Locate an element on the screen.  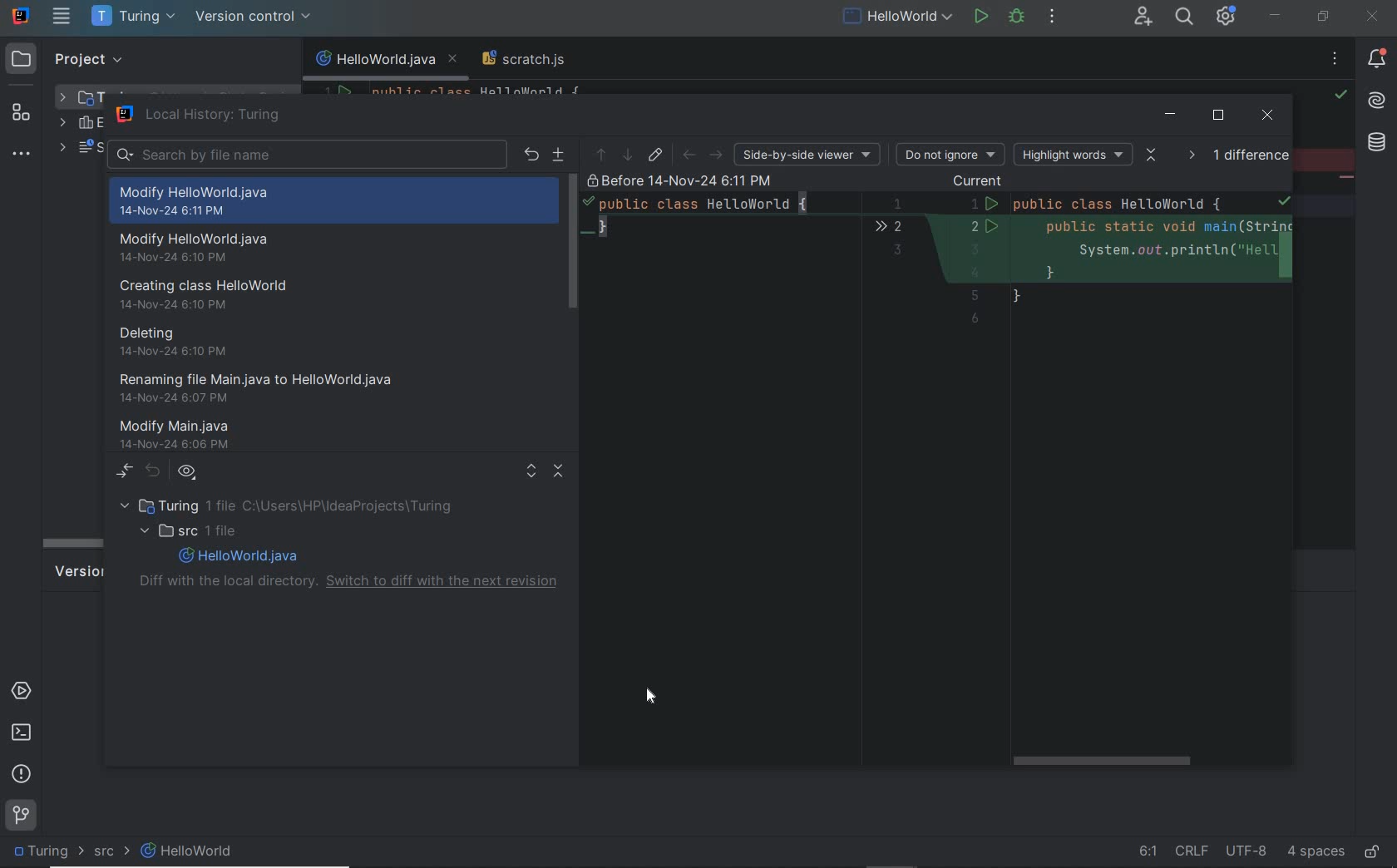
project folder is located at coordinates (79, 95).